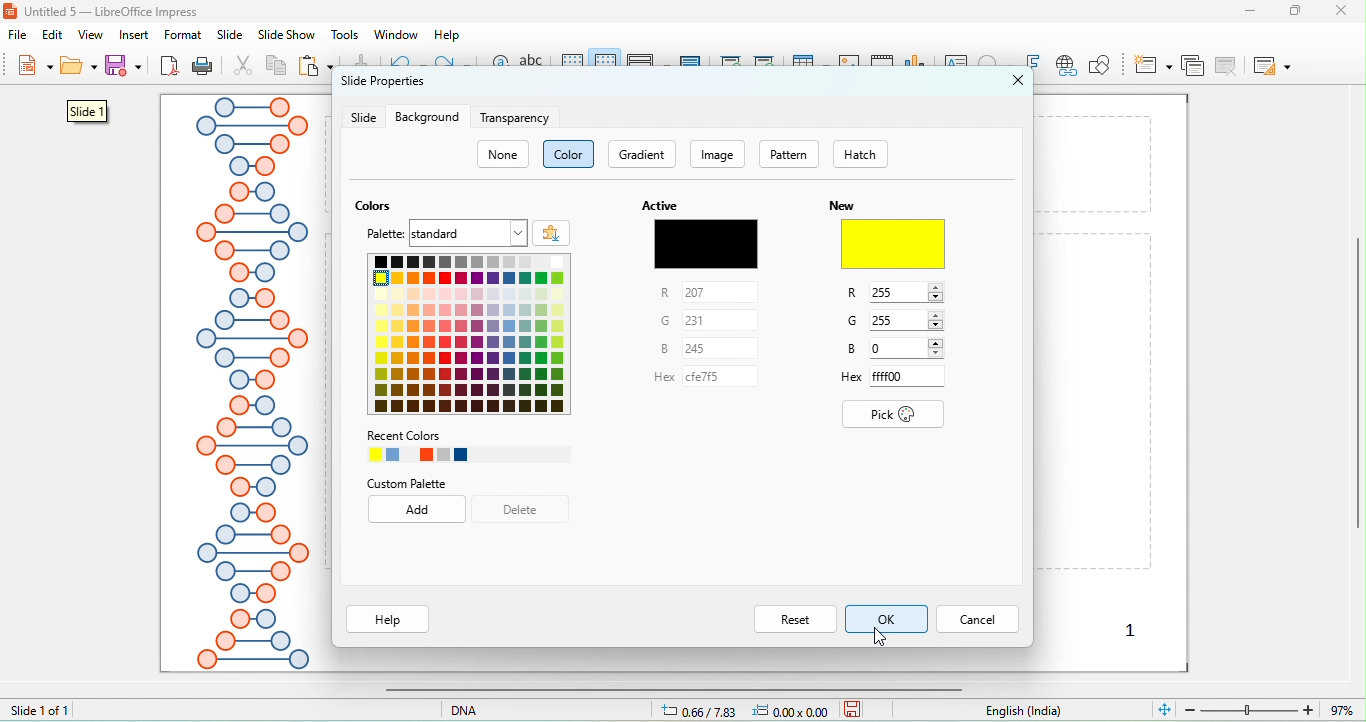  I want to click on image, so click(720, 154).